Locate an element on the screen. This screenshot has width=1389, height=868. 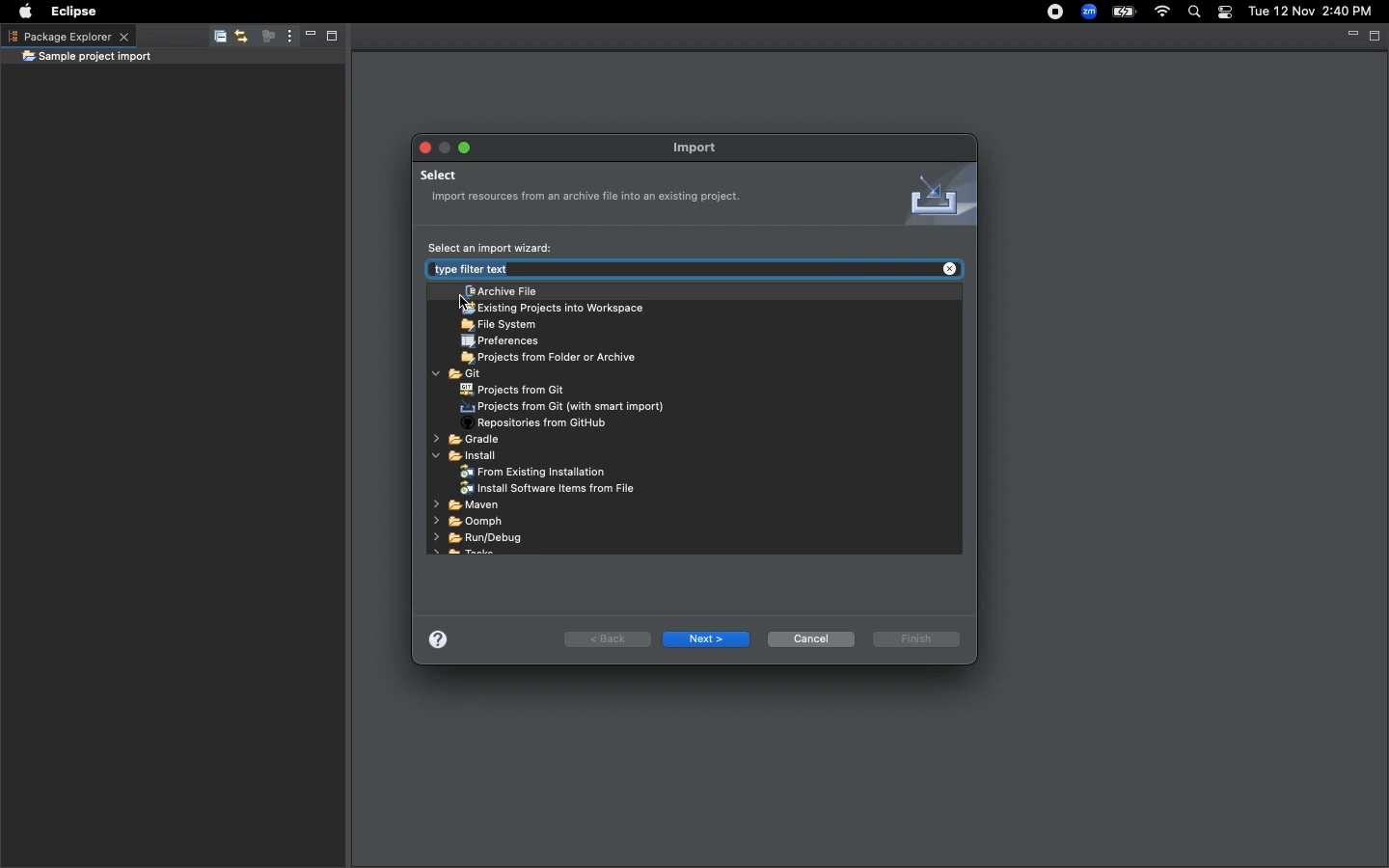
Collapse all is located at coordinates (216, 40).